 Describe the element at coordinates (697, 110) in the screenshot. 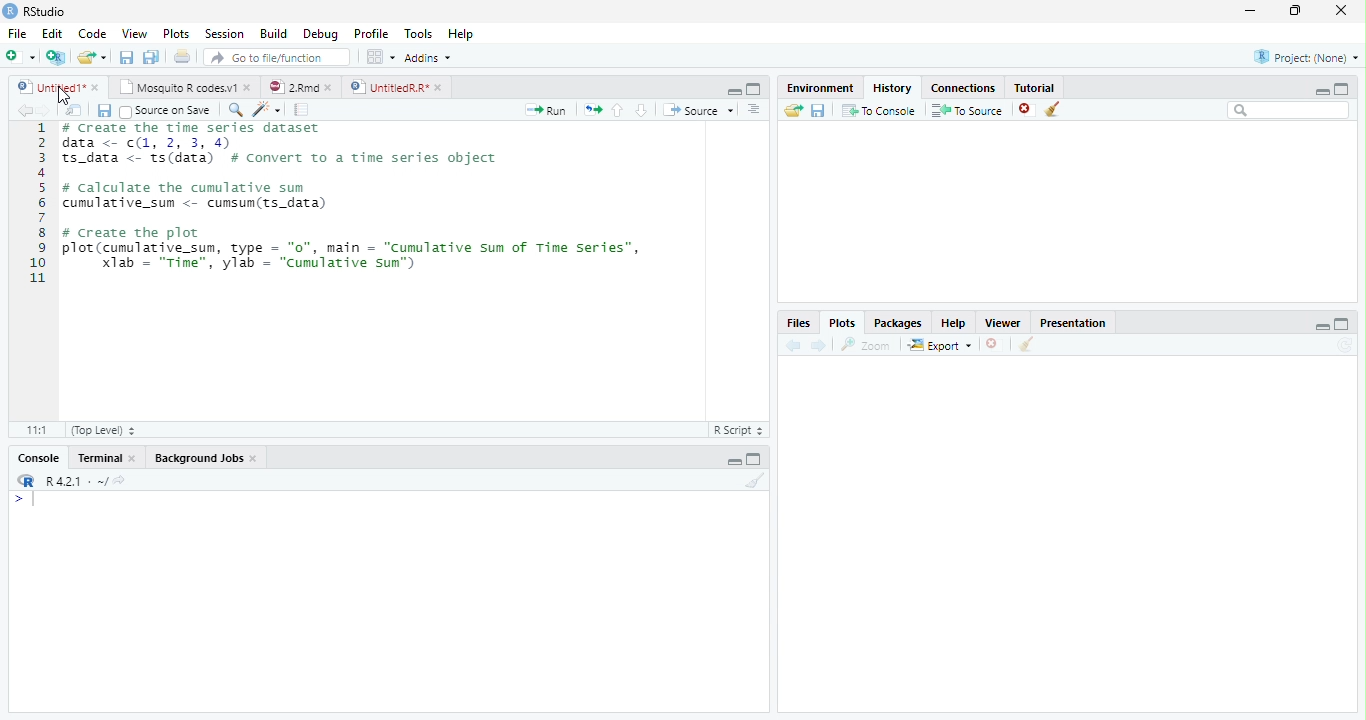

I see `Source` at that location.